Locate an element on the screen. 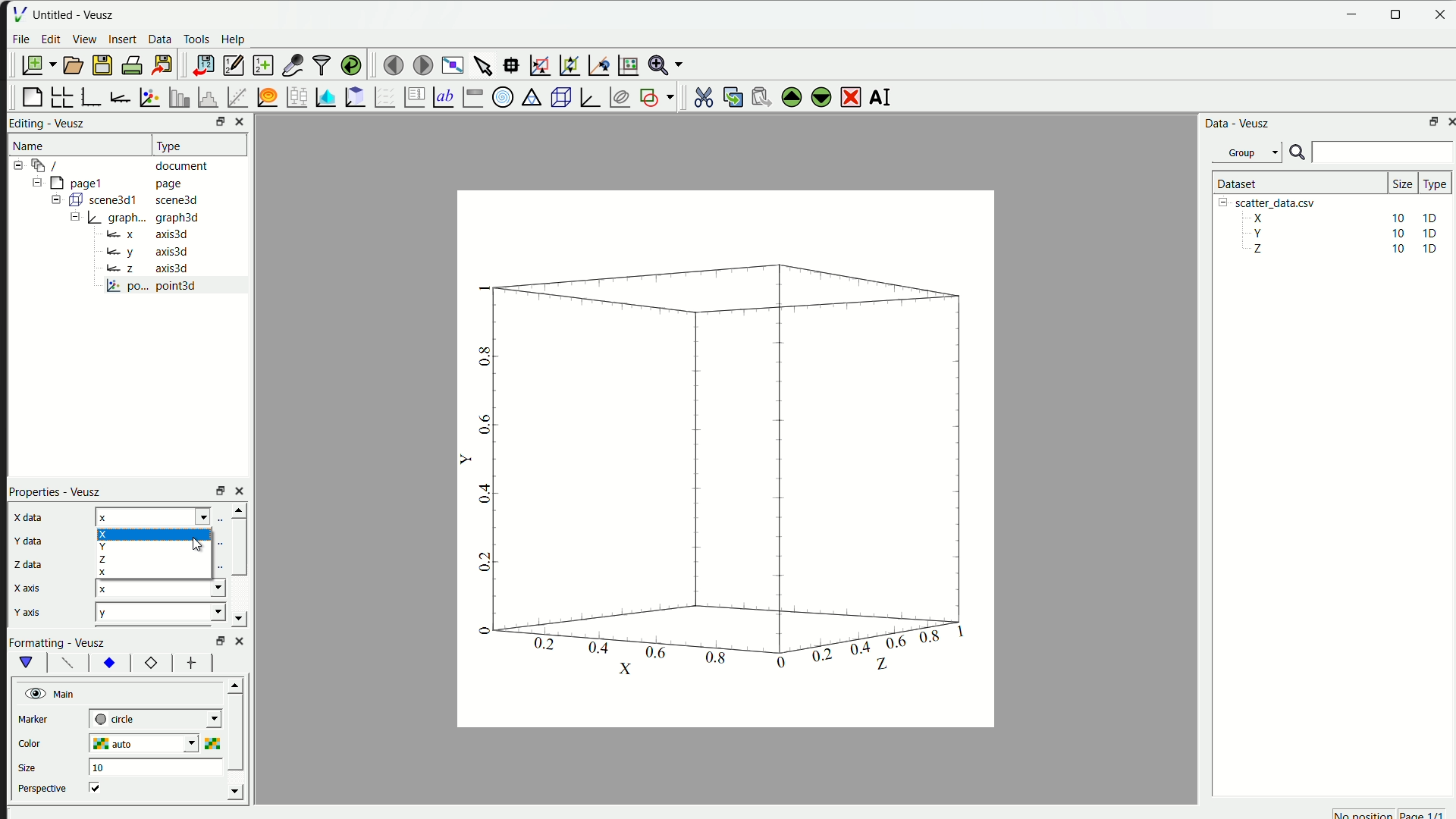  = | graph... graph3d is located at coordinates (136, 219).